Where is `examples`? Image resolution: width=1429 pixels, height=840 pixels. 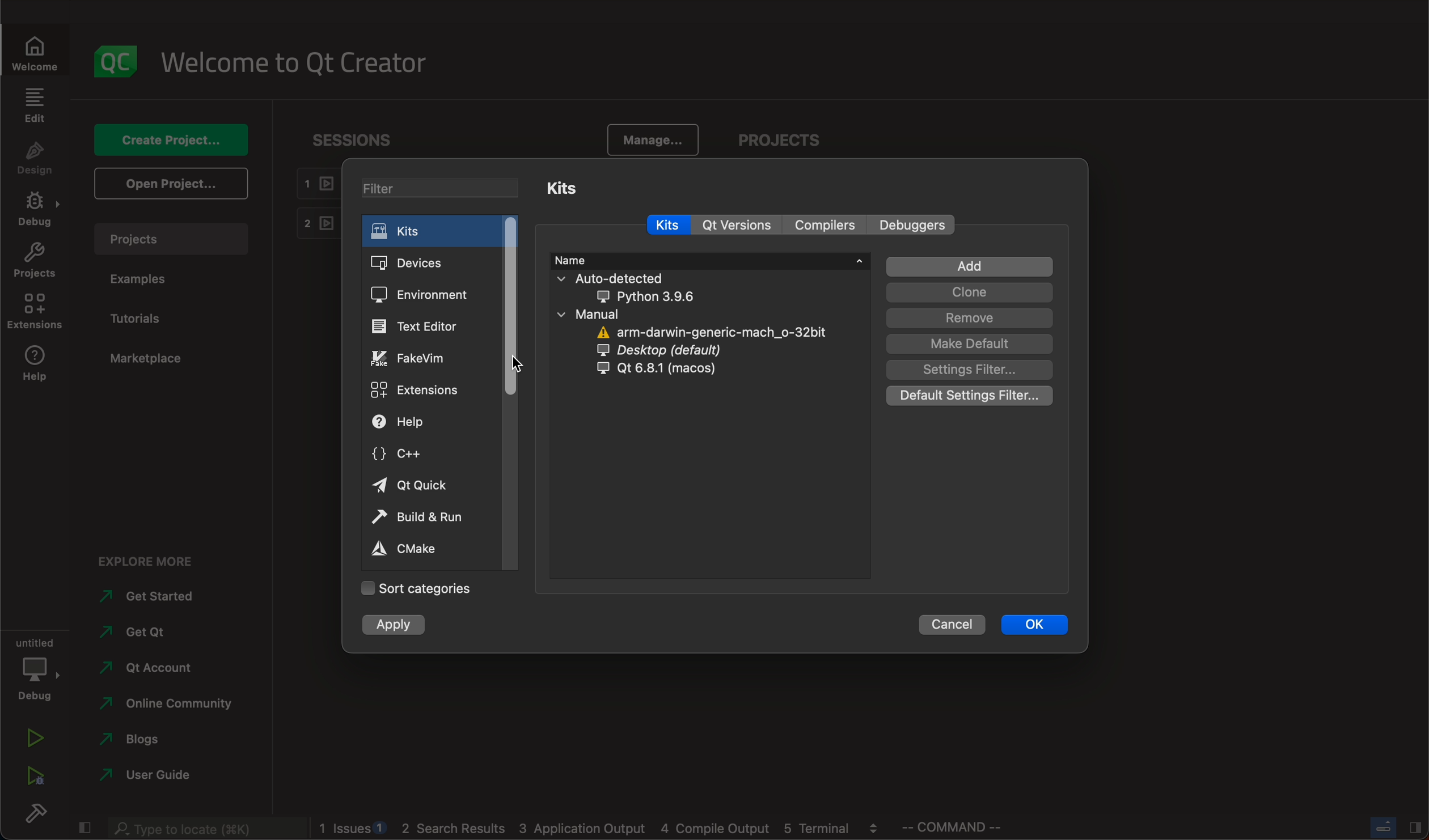
examples is located at coordinates (149, 279).